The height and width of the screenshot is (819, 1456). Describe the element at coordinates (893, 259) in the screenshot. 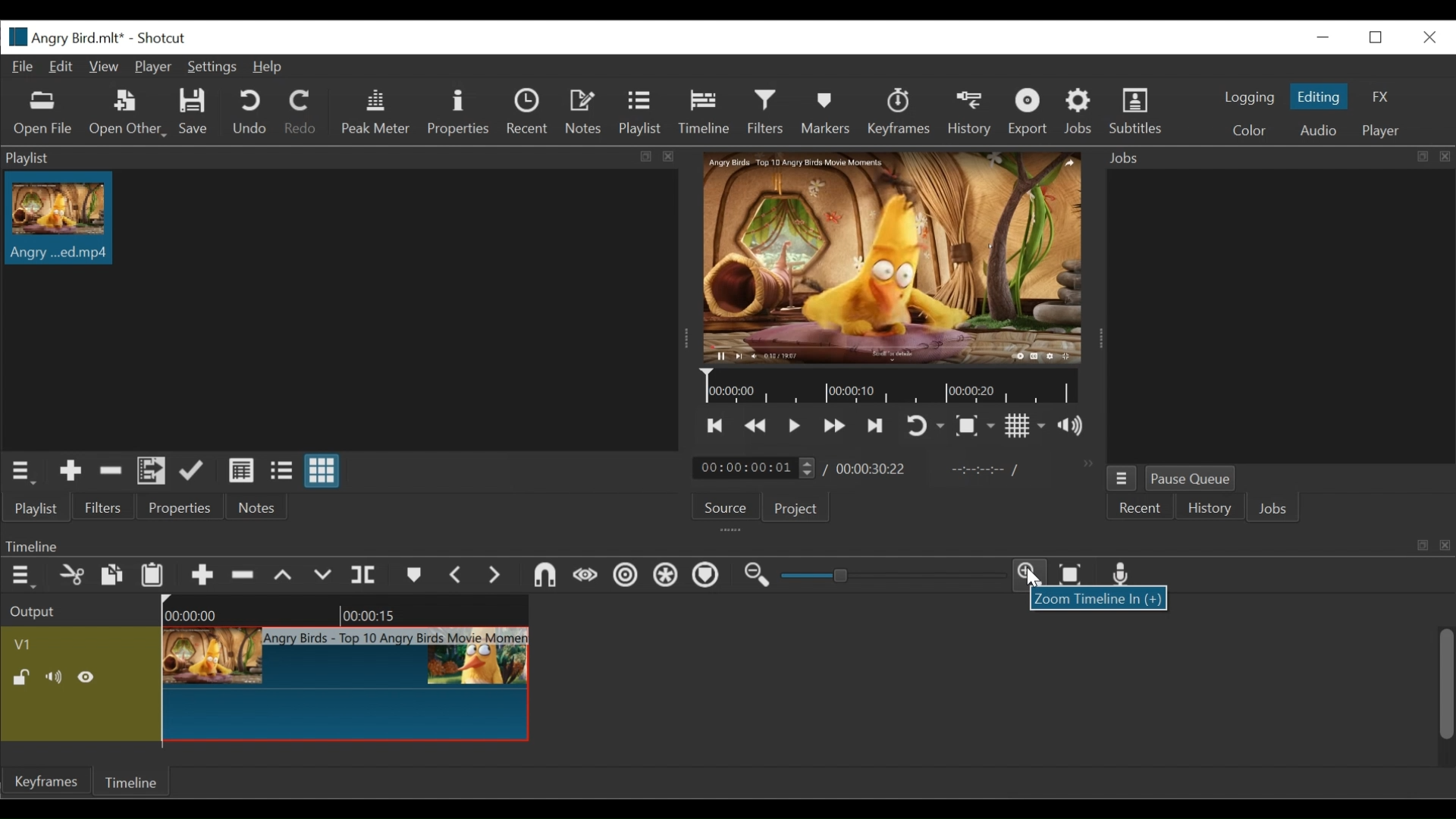

I see `Media viewer` at that location.